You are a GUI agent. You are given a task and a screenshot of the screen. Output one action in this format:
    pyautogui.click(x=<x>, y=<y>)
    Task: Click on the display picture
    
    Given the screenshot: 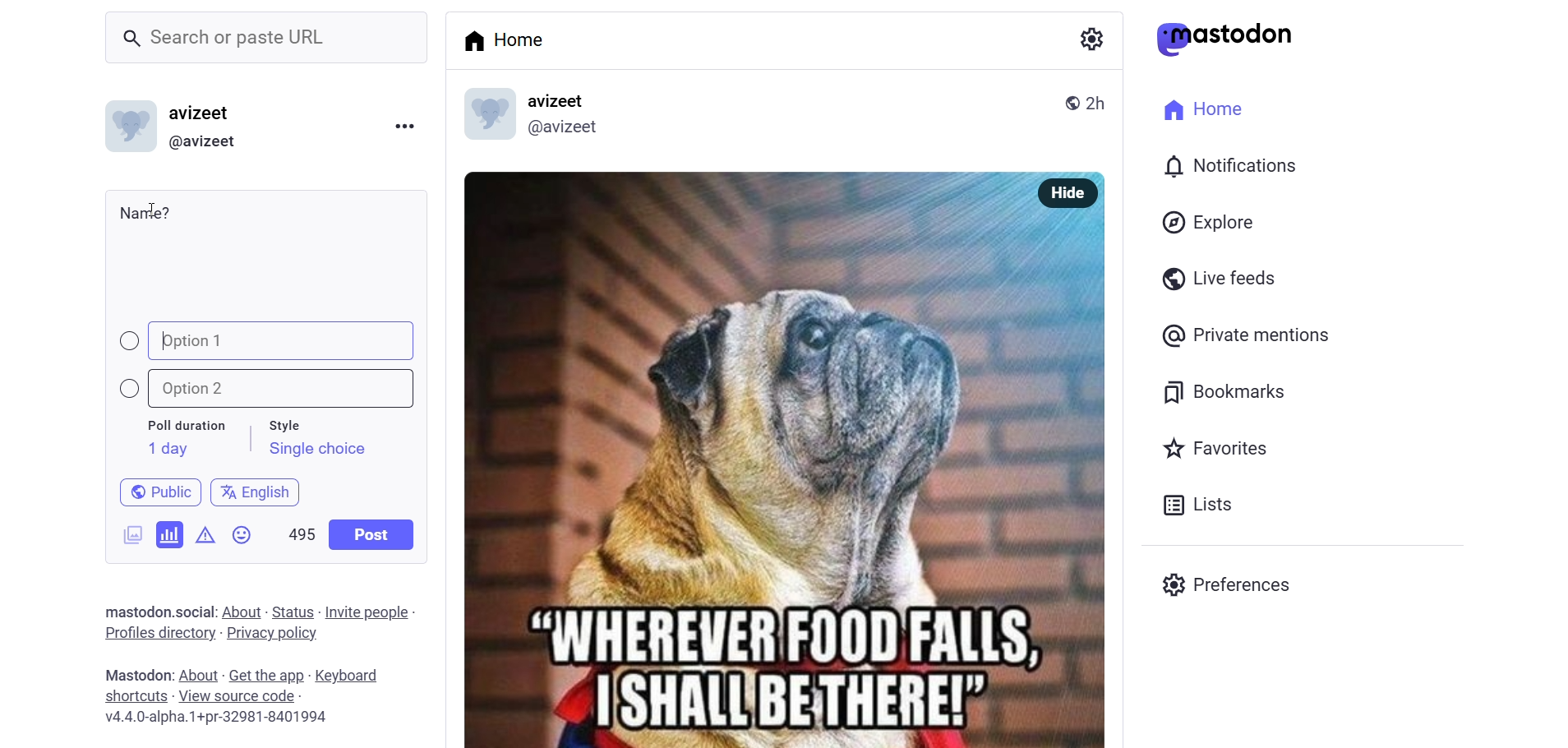 What is the action you would take?
    pyautogui.click(x=481, y=116)
    